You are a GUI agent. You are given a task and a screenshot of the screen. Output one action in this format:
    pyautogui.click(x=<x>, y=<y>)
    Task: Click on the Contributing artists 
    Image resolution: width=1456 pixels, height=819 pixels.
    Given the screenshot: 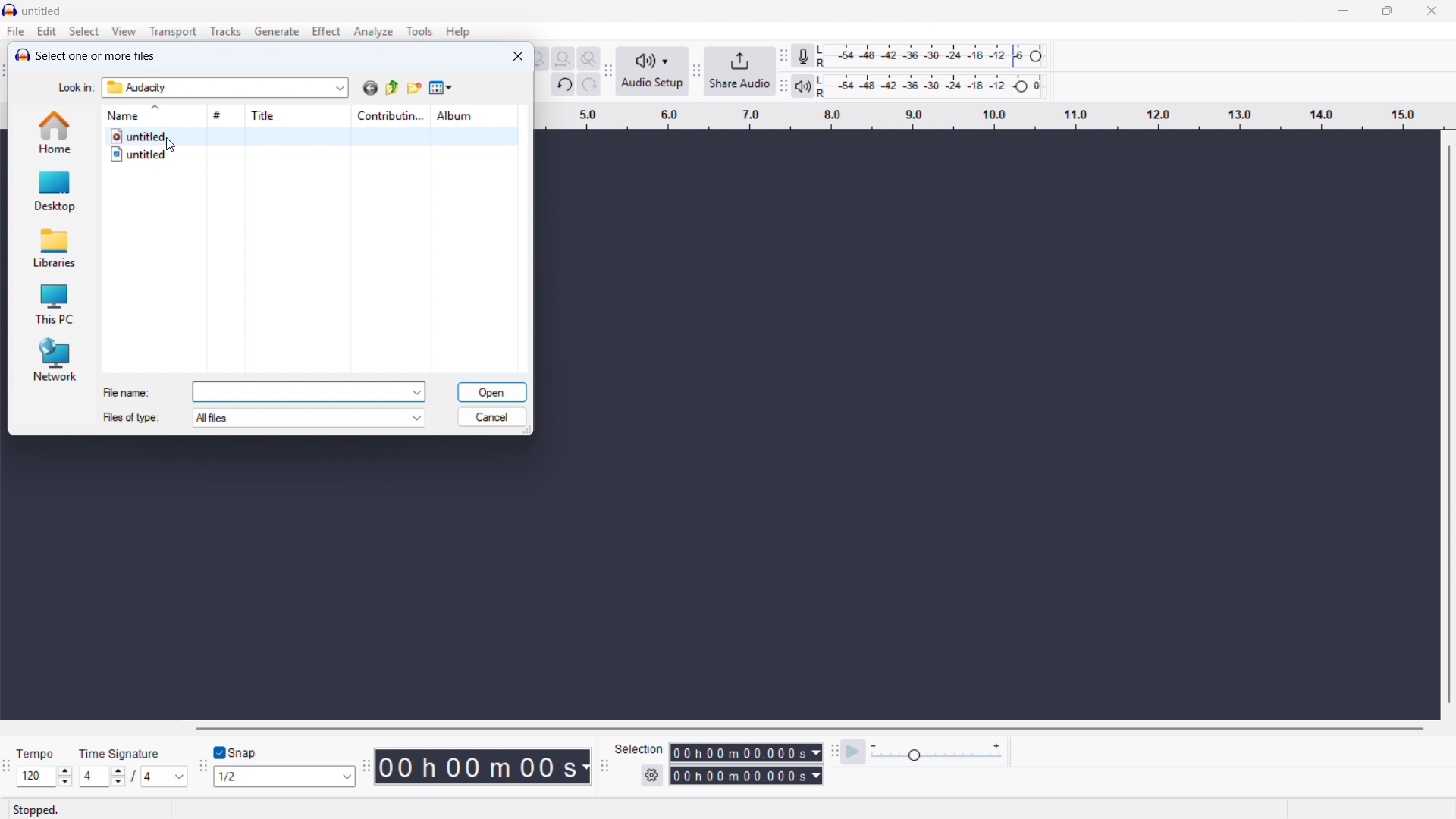 What is the action you would take?
    pyautogui.click(x=390, y=116)
    